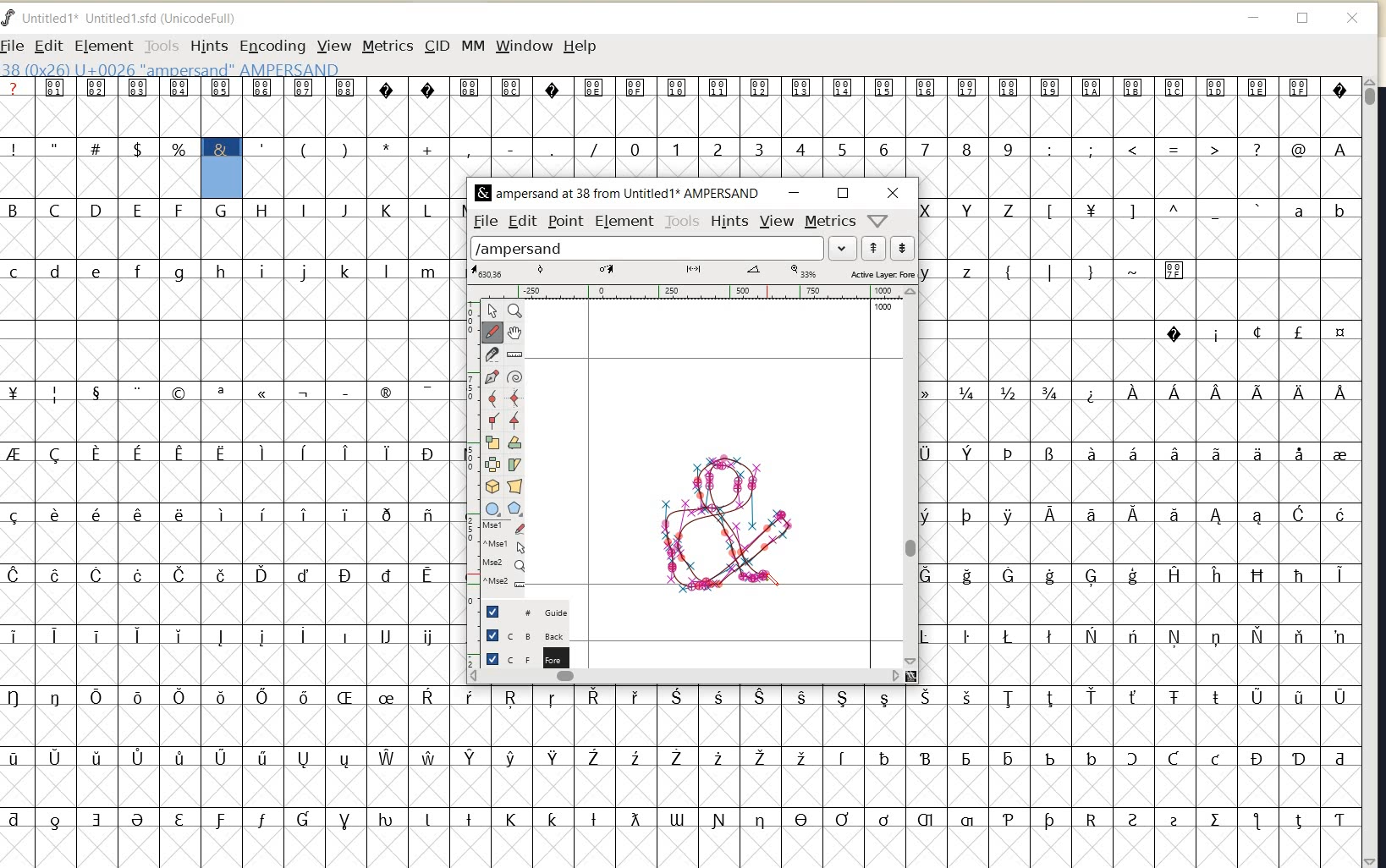  What do you see at coordinates (802, 127) in the screenshot?
I see `glyph characters & numbers` at bounding box center [802, 127].